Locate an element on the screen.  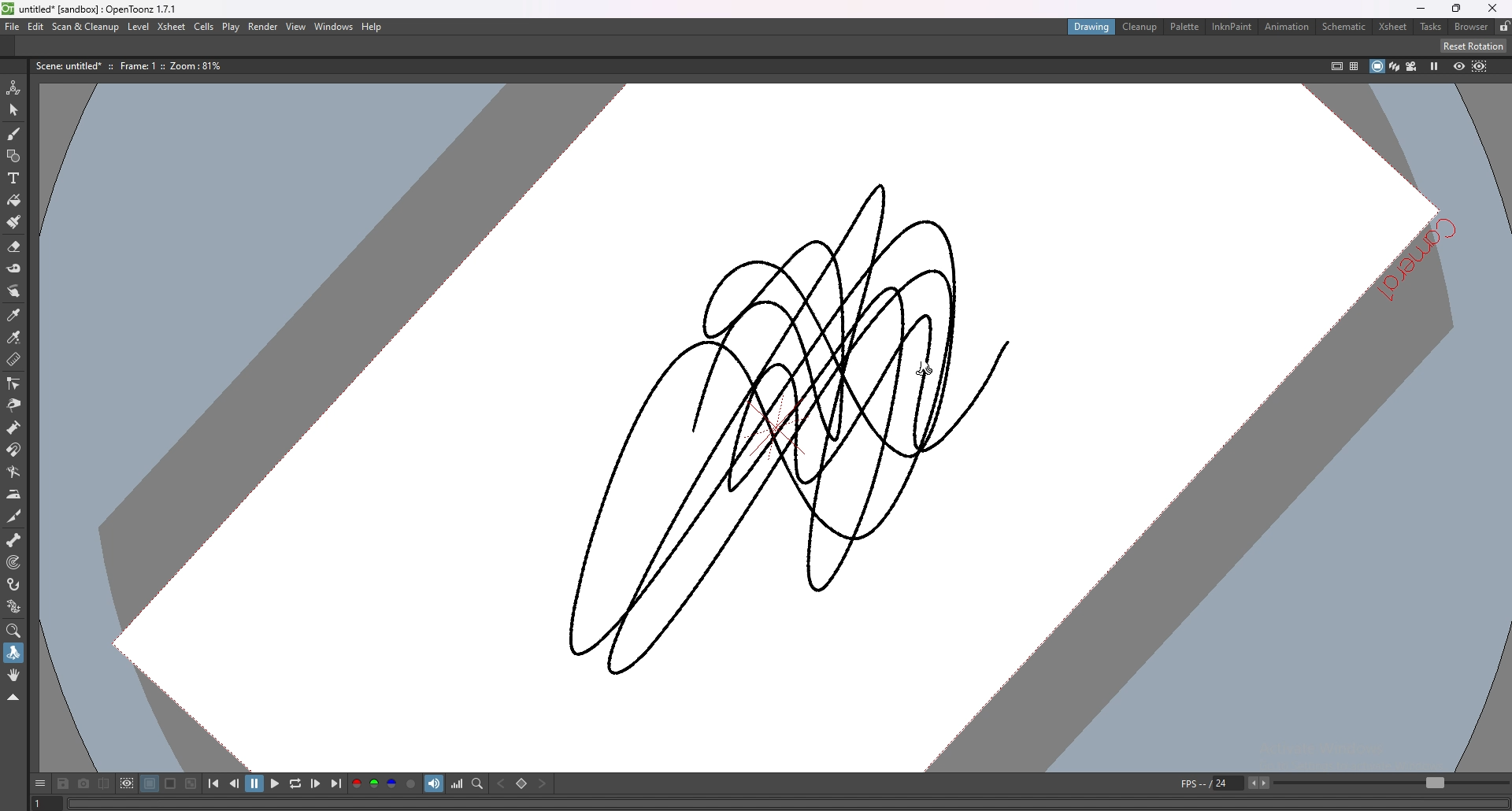
fill brush tool is located at coordinates (14, 221).